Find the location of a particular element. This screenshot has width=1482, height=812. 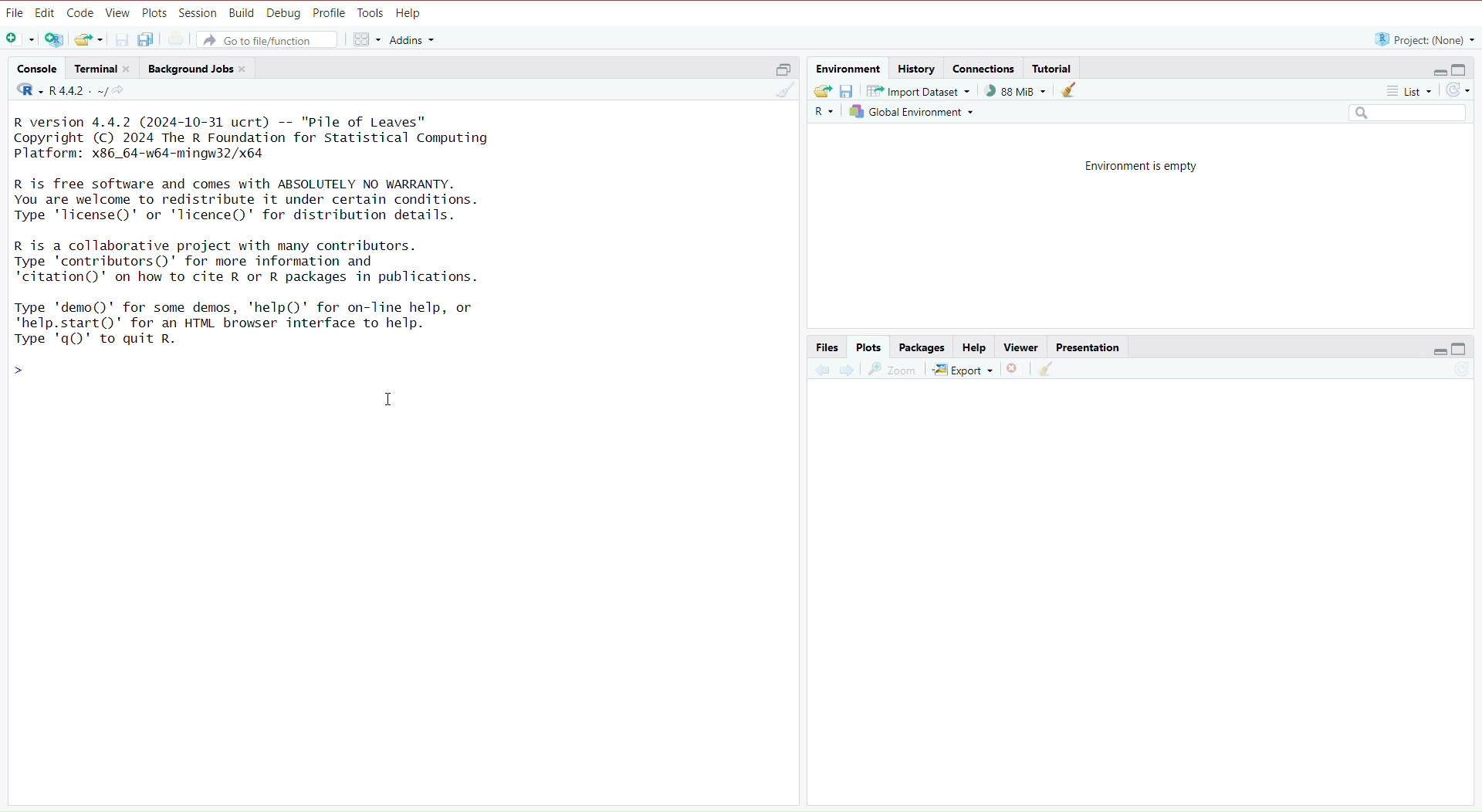

debug is located at coordinates (284, 14).